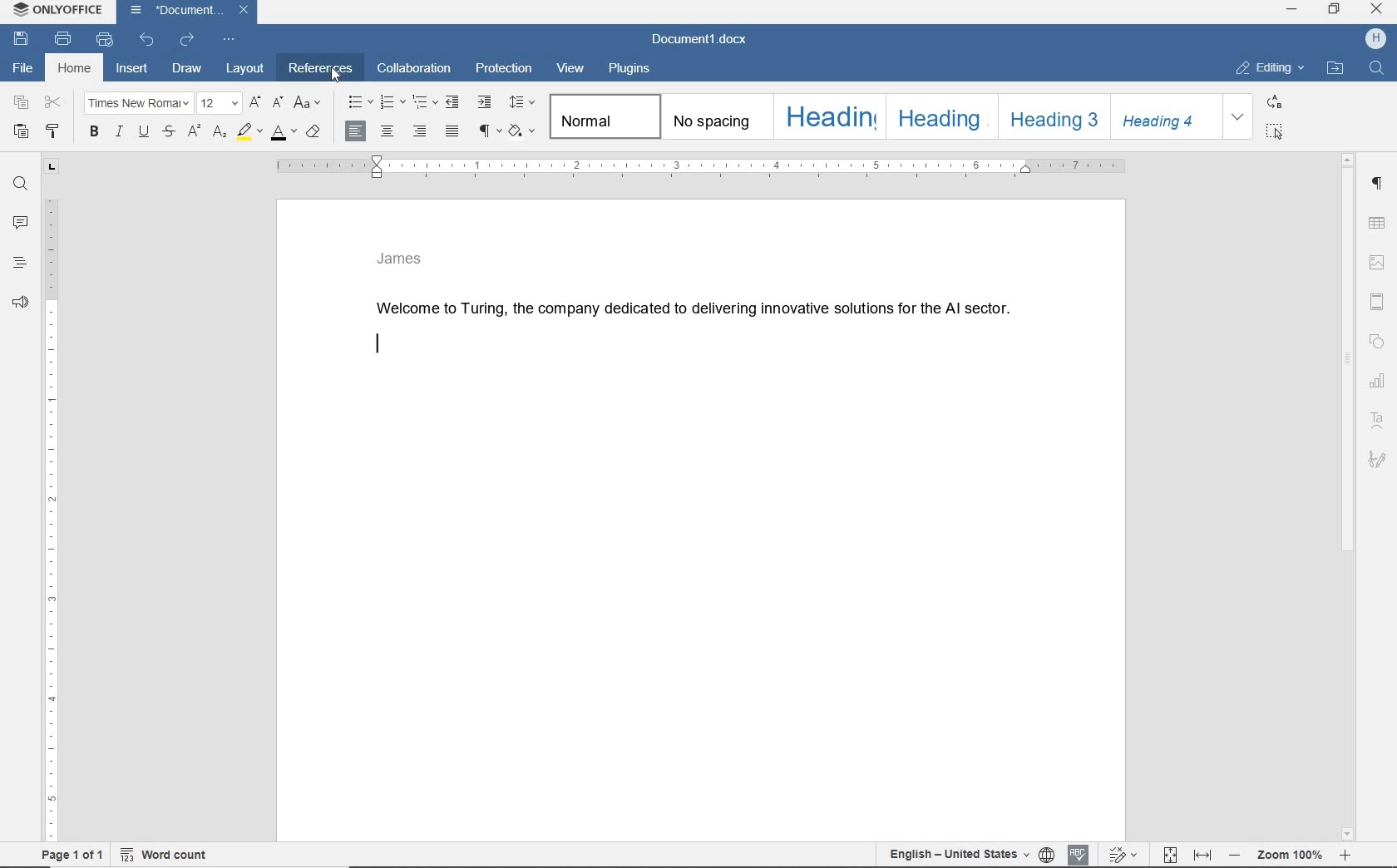 The image size is (1397, 868). What do you see at coordinates (1124, 855) in the screenshot?
I see `track changes` at bounding box center [1124, 855].